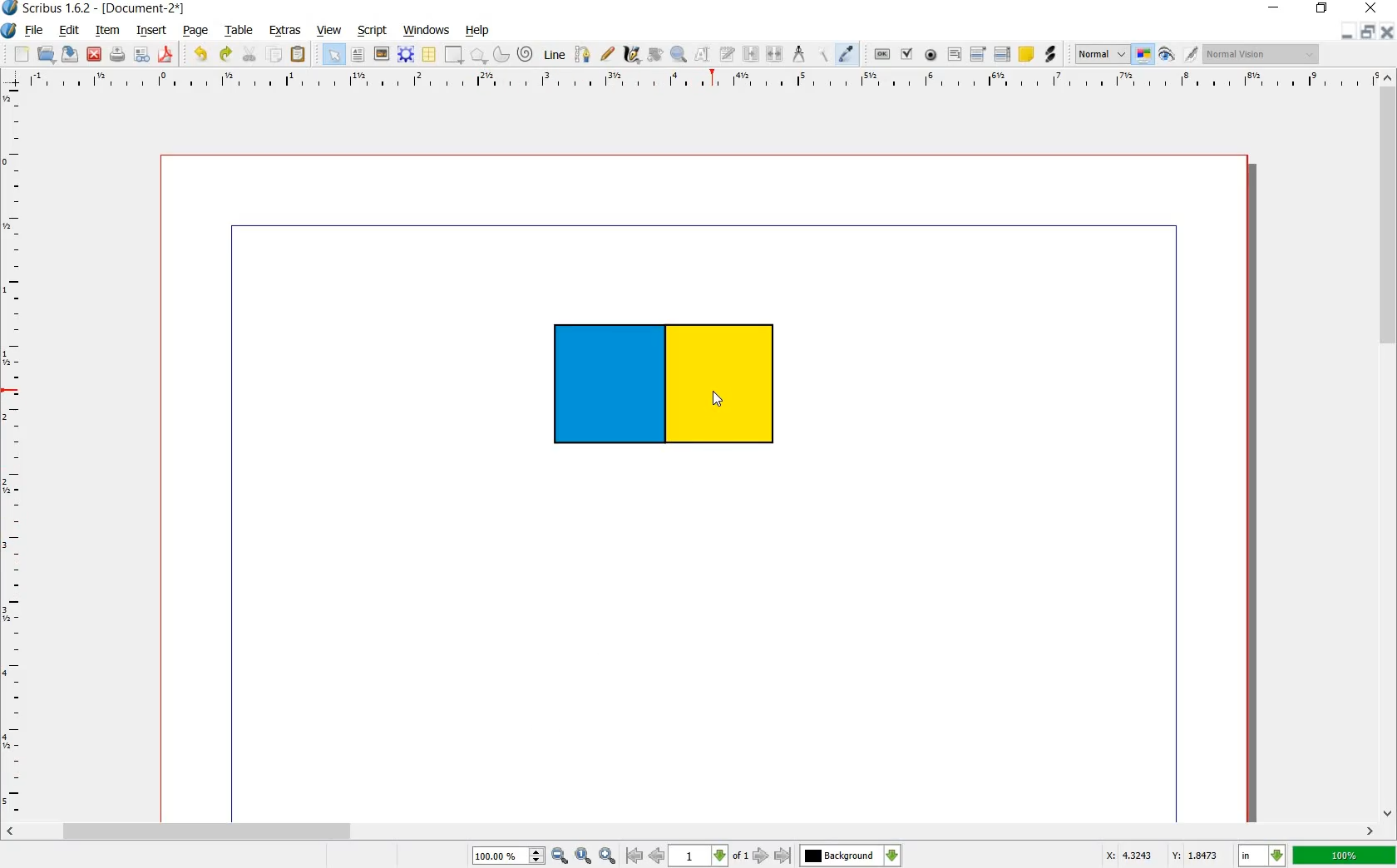  Describe the element at coordinates (679, 56) in the screenshot. I see `zoom in or out` at that location.